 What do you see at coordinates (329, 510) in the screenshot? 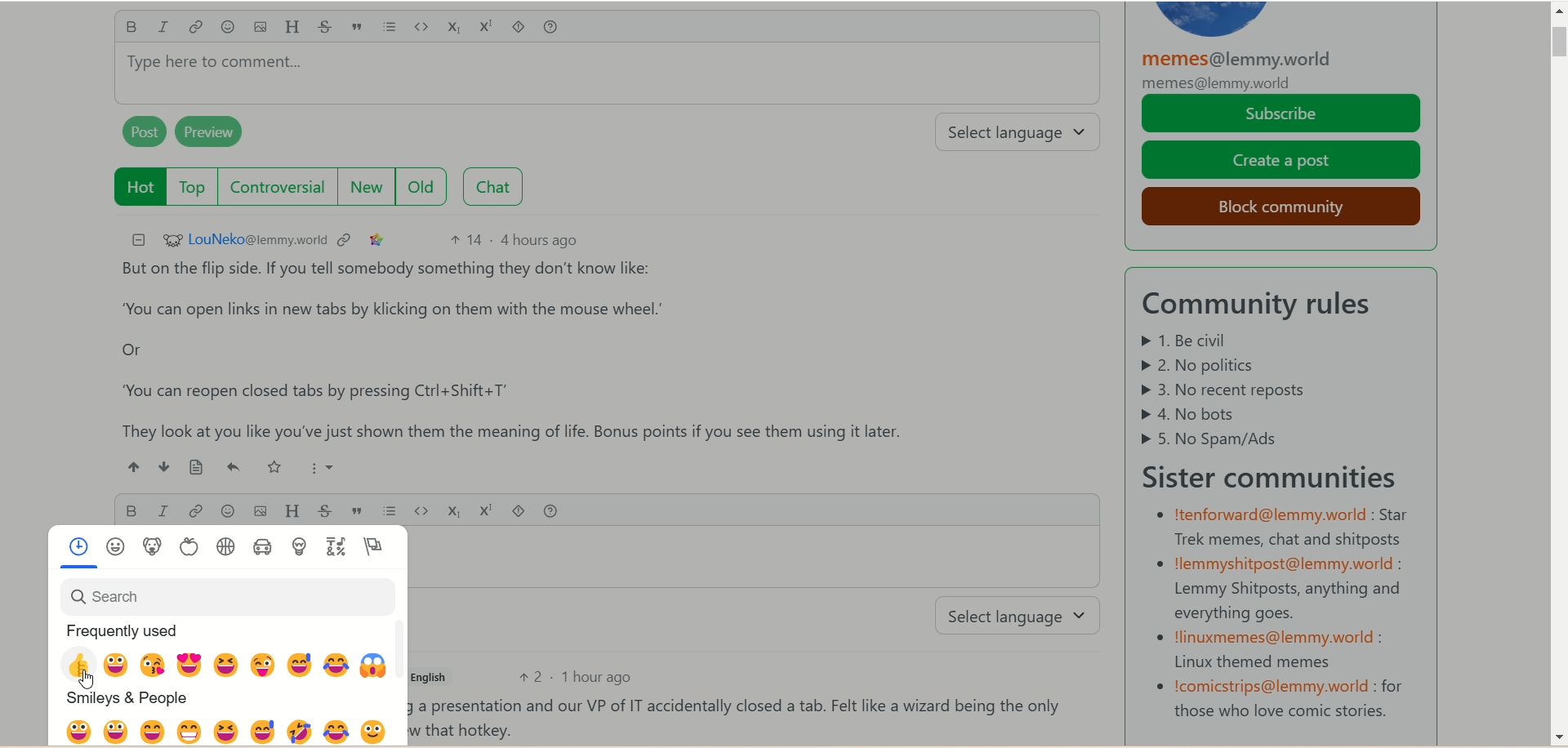
I see `strikethrough` at bounding box center [329, 510].